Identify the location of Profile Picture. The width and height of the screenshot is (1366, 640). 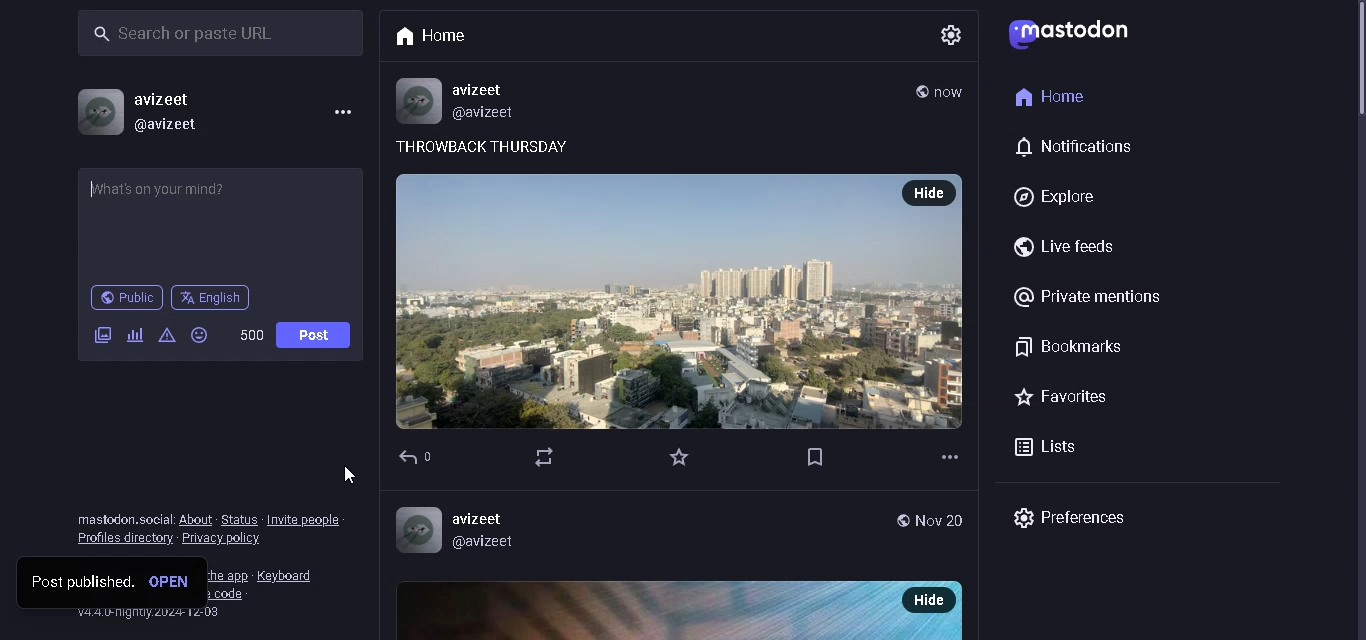
(418, 99).